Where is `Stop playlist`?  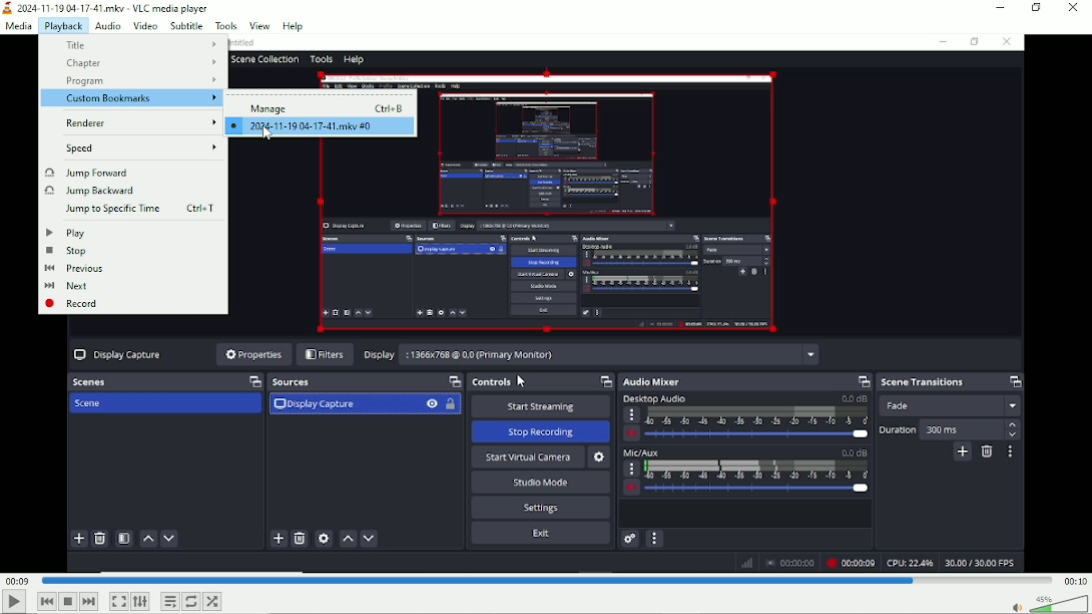 Stop playlist is located at coordinates (68, 602).